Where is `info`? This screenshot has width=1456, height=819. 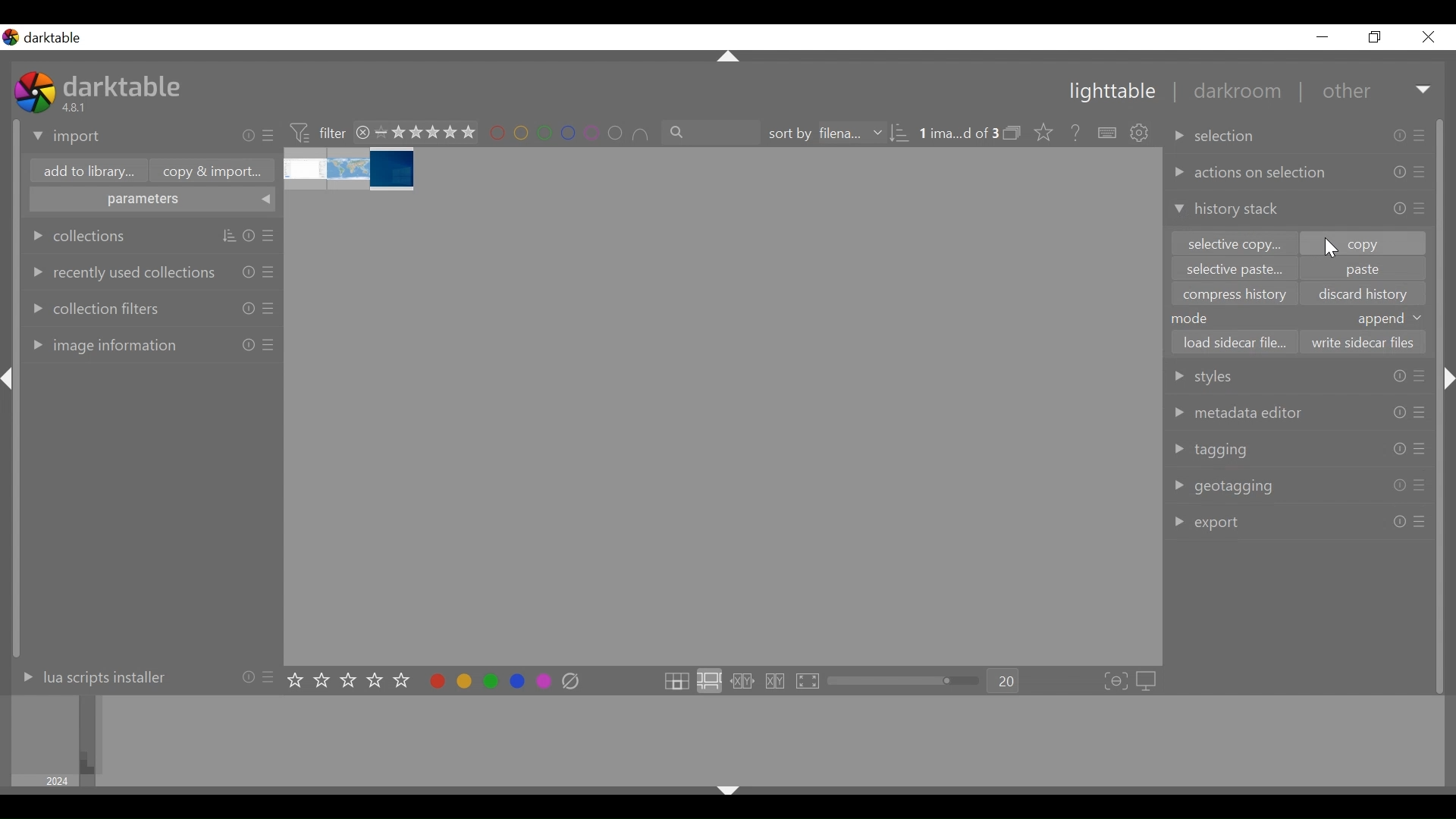
info is located at coordinates (249, 344).